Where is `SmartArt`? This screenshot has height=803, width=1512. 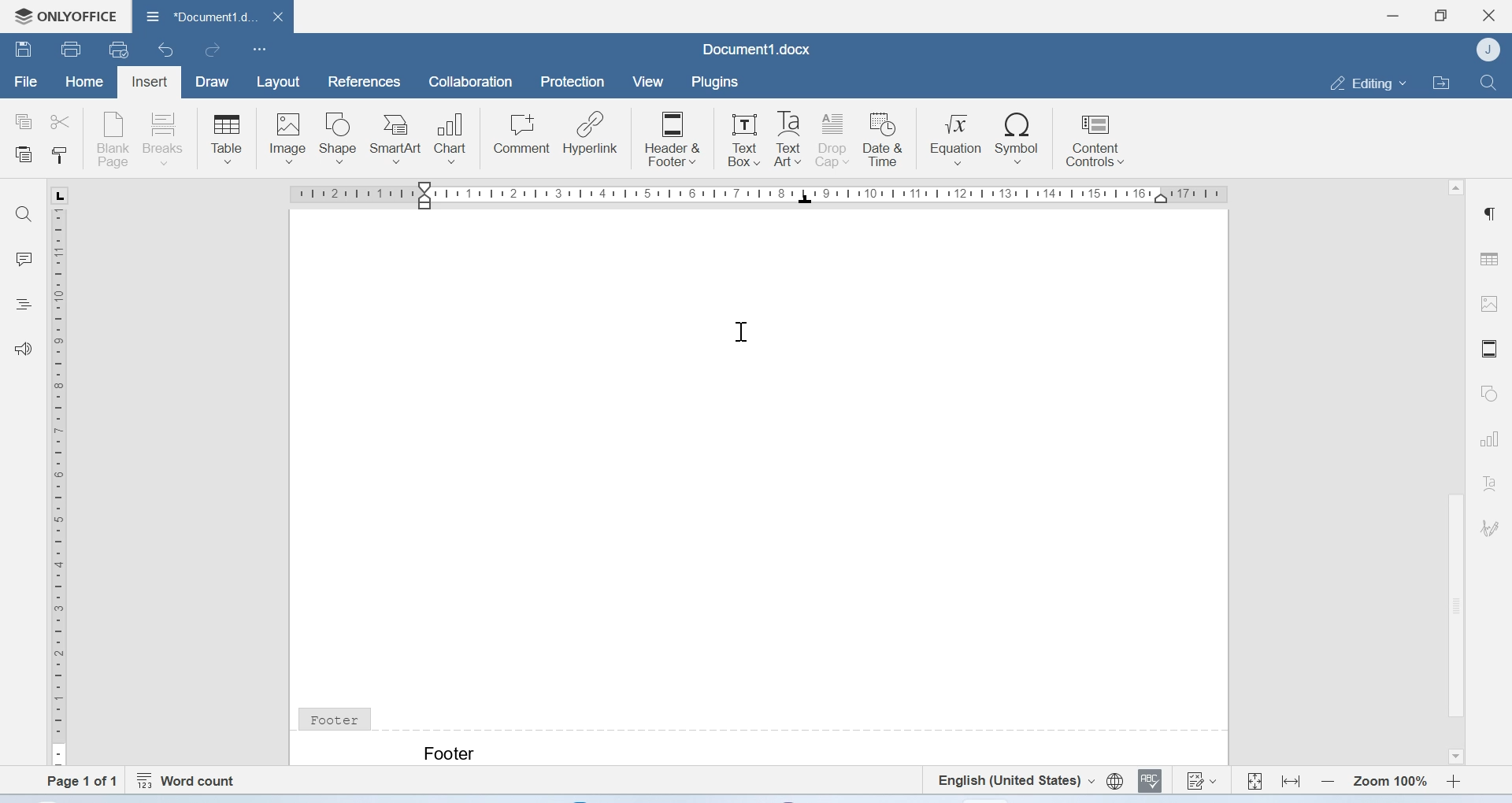
SmartArt is located at coordinates (399, 135).